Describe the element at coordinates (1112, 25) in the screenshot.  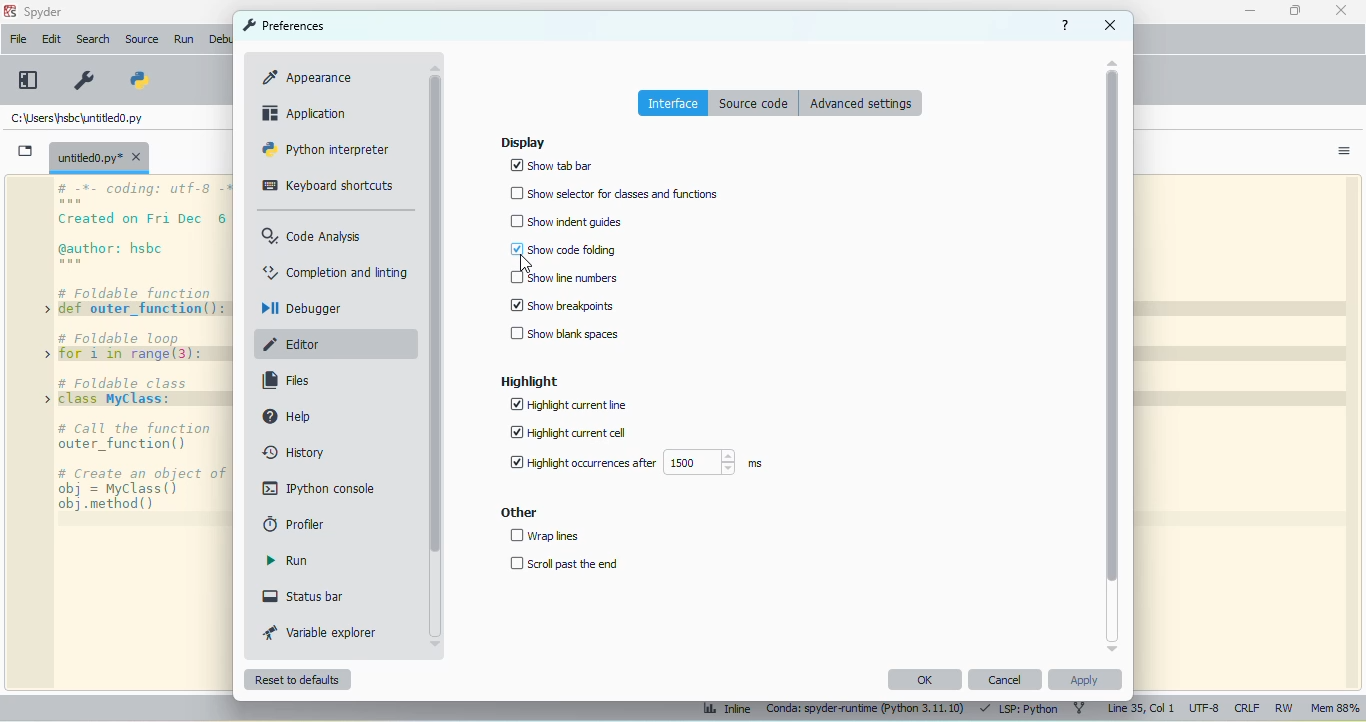
I see `close` at that location.